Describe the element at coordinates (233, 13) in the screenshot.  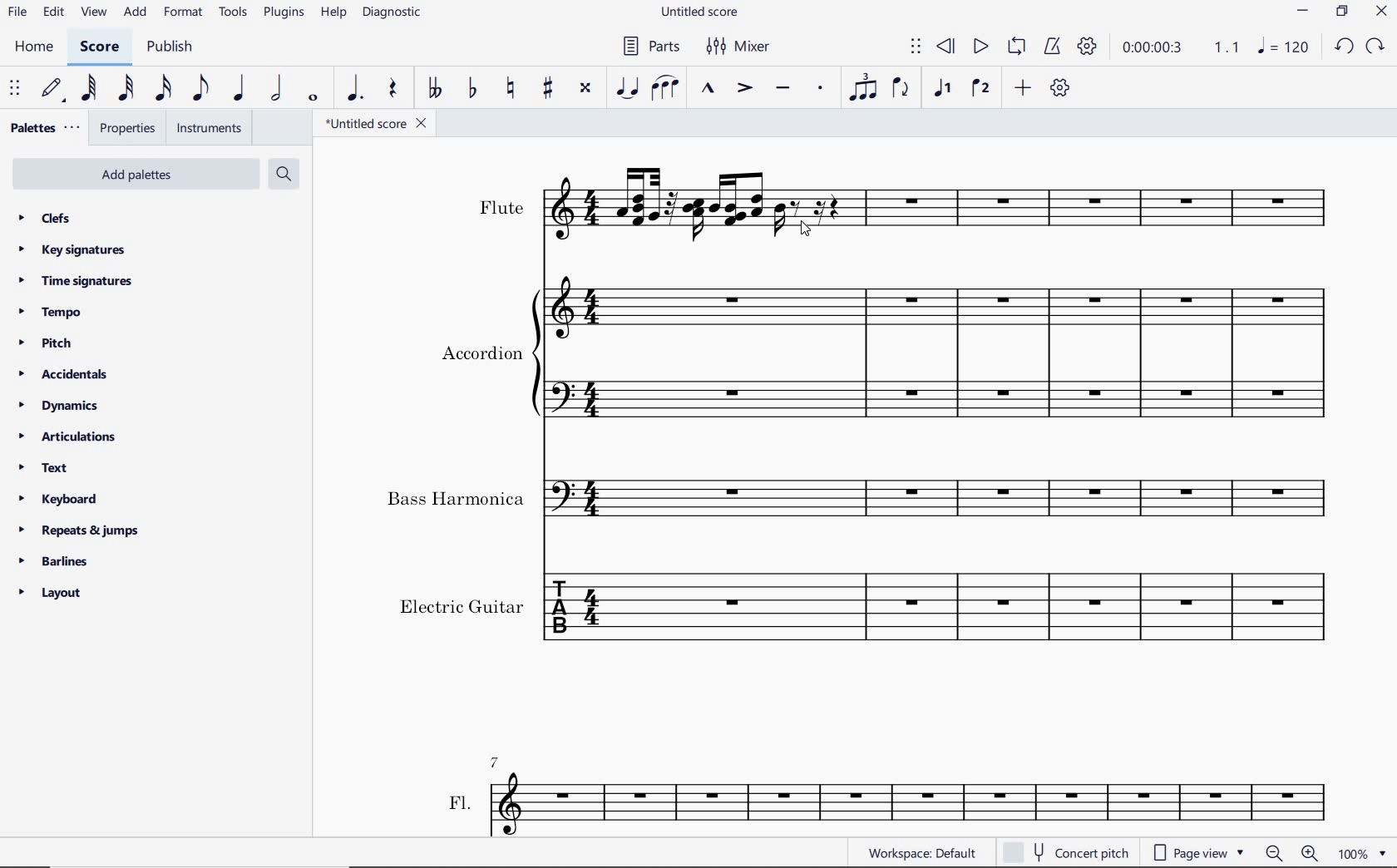
I see `tools` at that location.